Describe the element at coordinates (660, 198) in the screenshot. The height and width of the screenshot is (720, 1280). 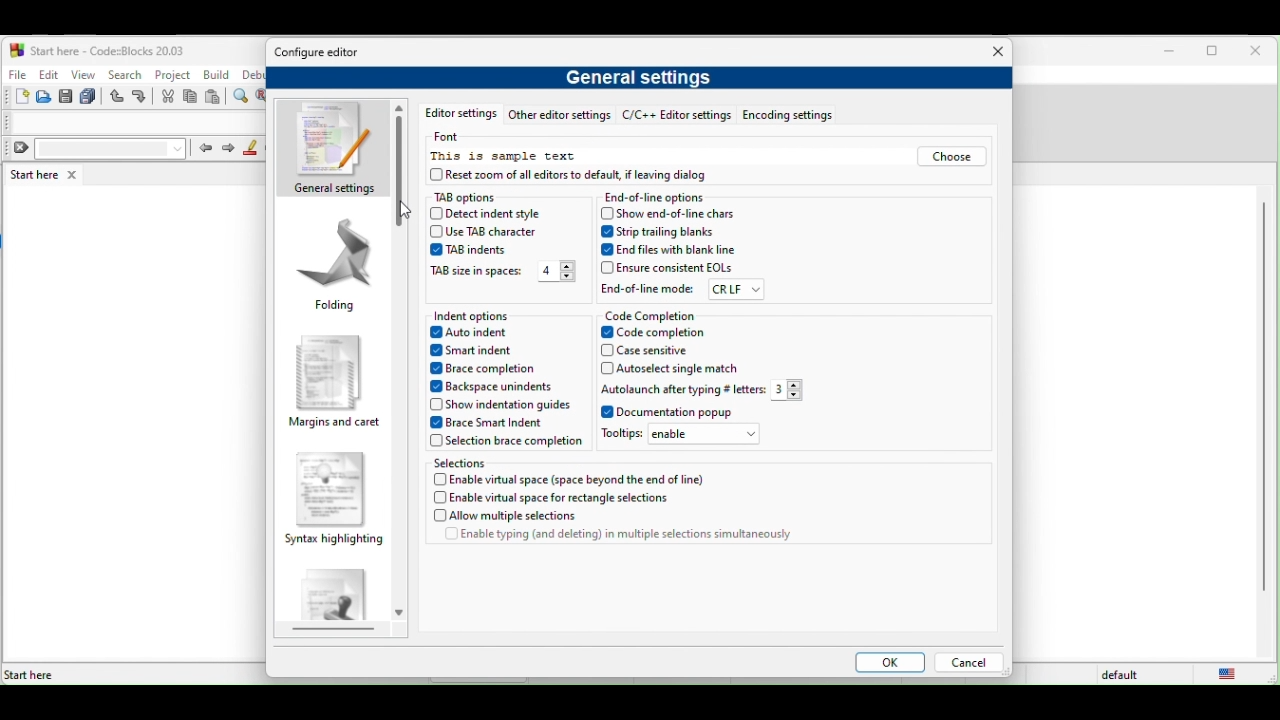
I see `end of line options` at that location.